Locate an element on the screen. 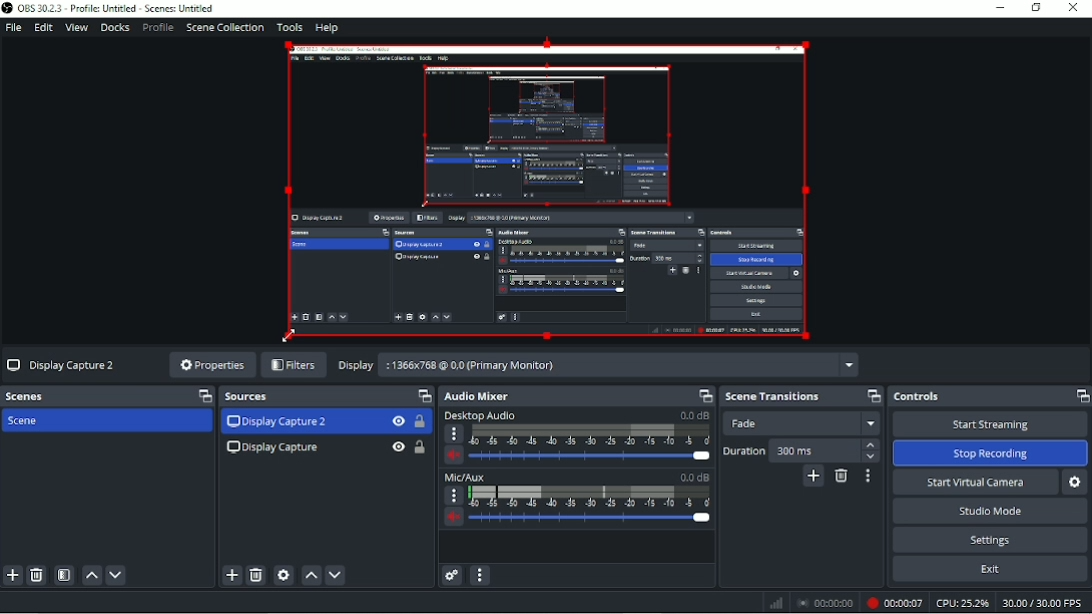 This screenshot has height=614, width=1092. Advanced audio properties is located at coordinates (451, 575).